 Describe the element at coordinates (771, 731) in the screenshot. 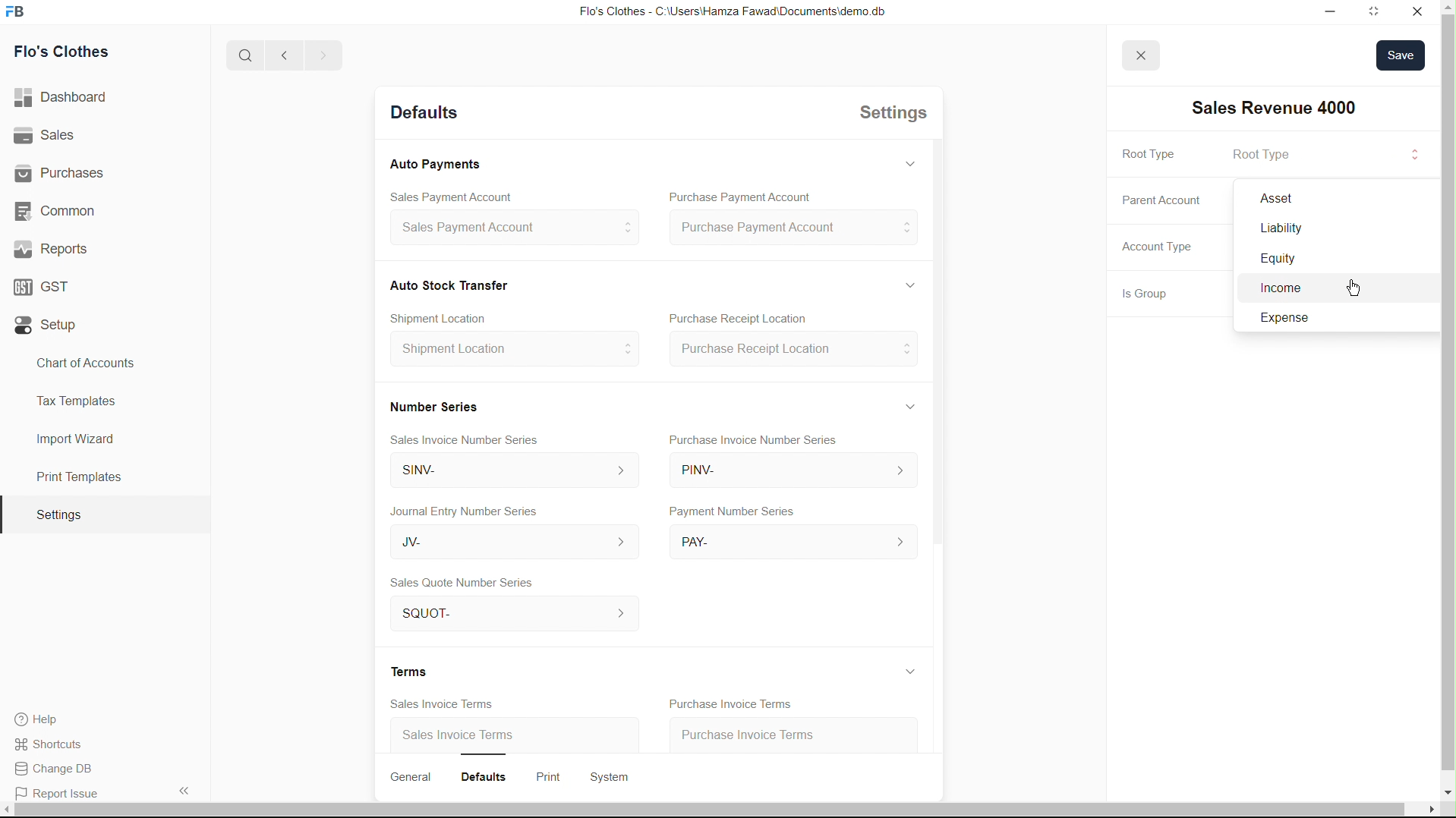

I see `Purchase Invoice Terms` at that location.